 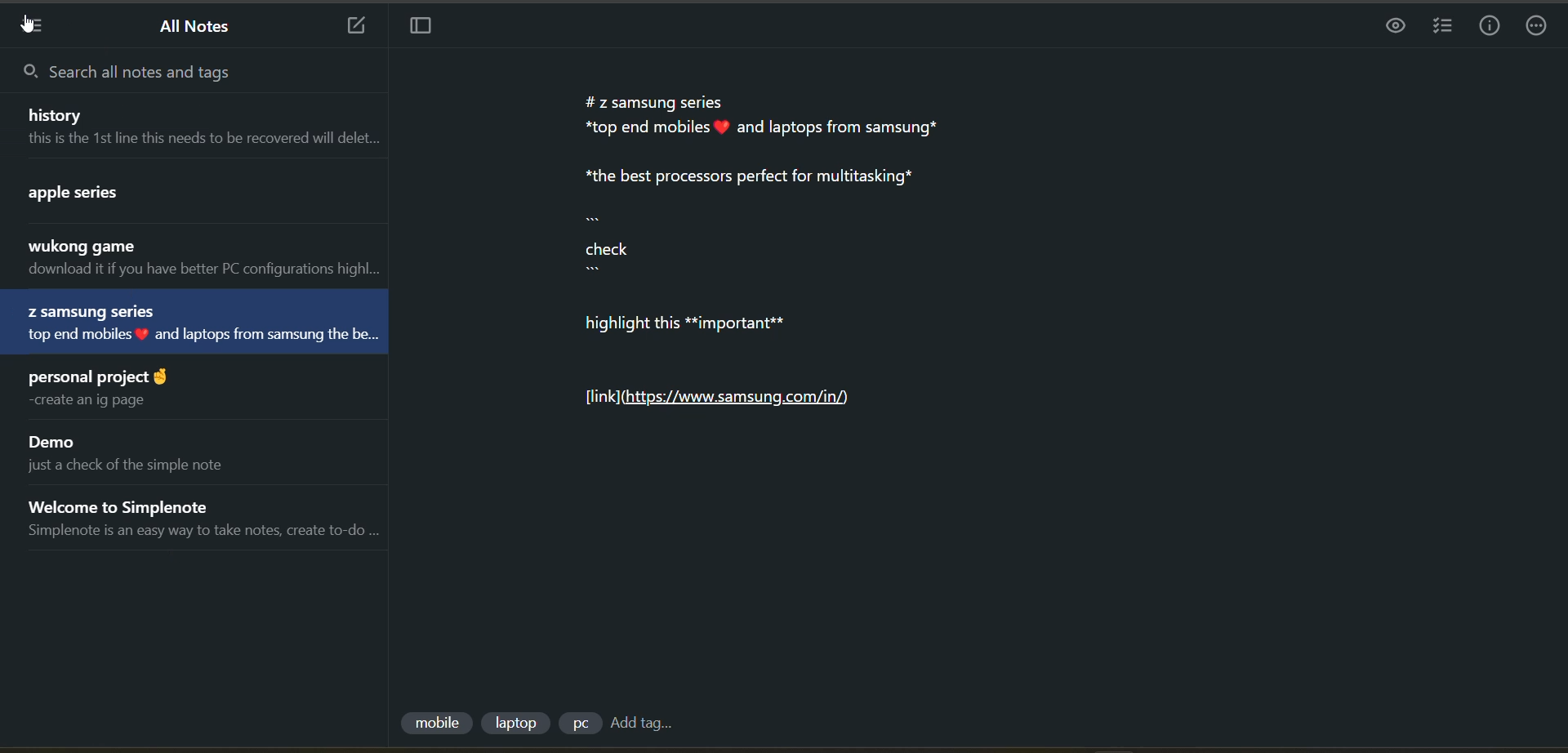 I want to click on preview, so click(x=1391, y=29).